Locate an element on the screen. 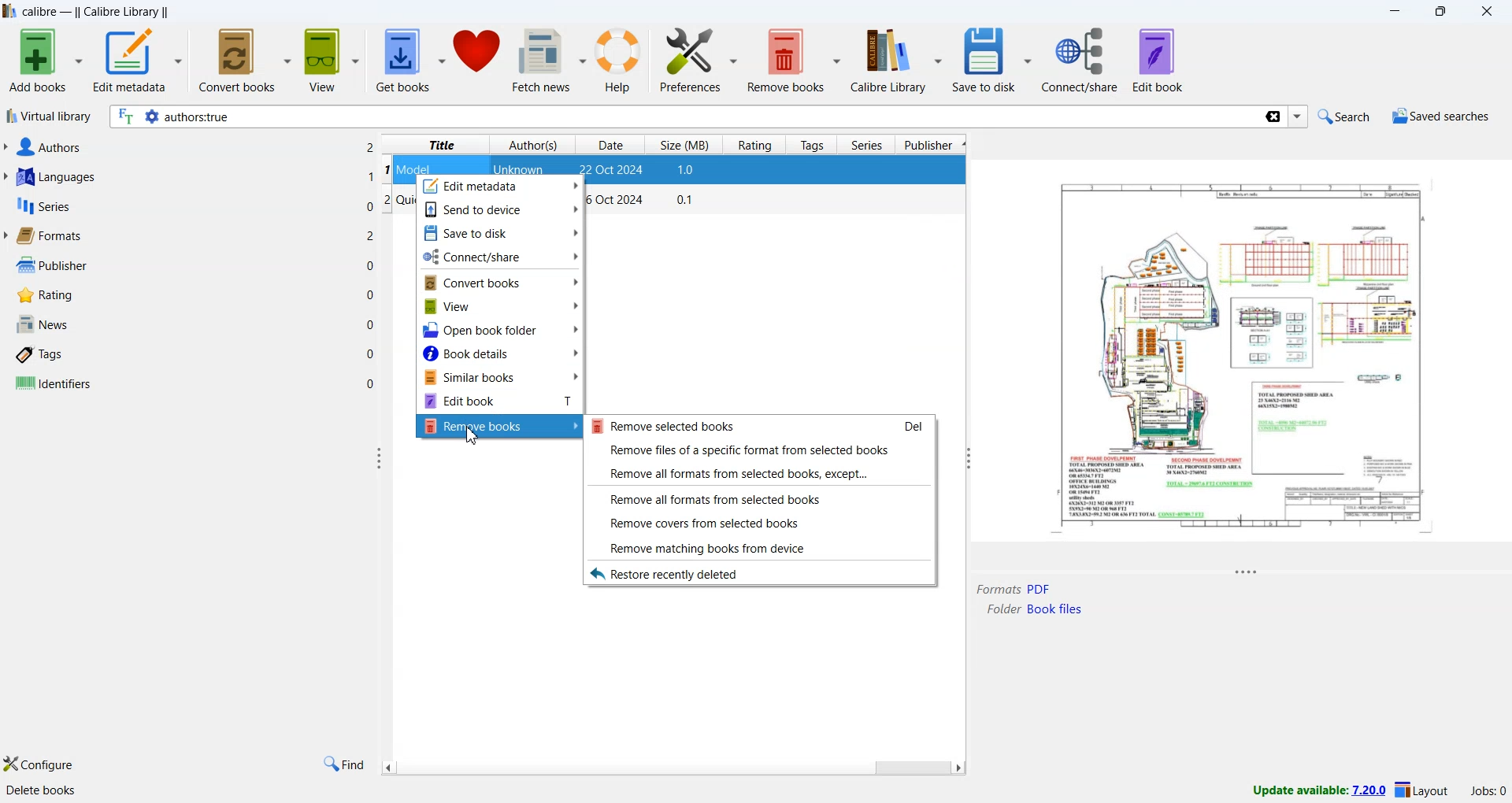 The image size is (1512, 803). saved searches is located at coordinates (1440, 118).